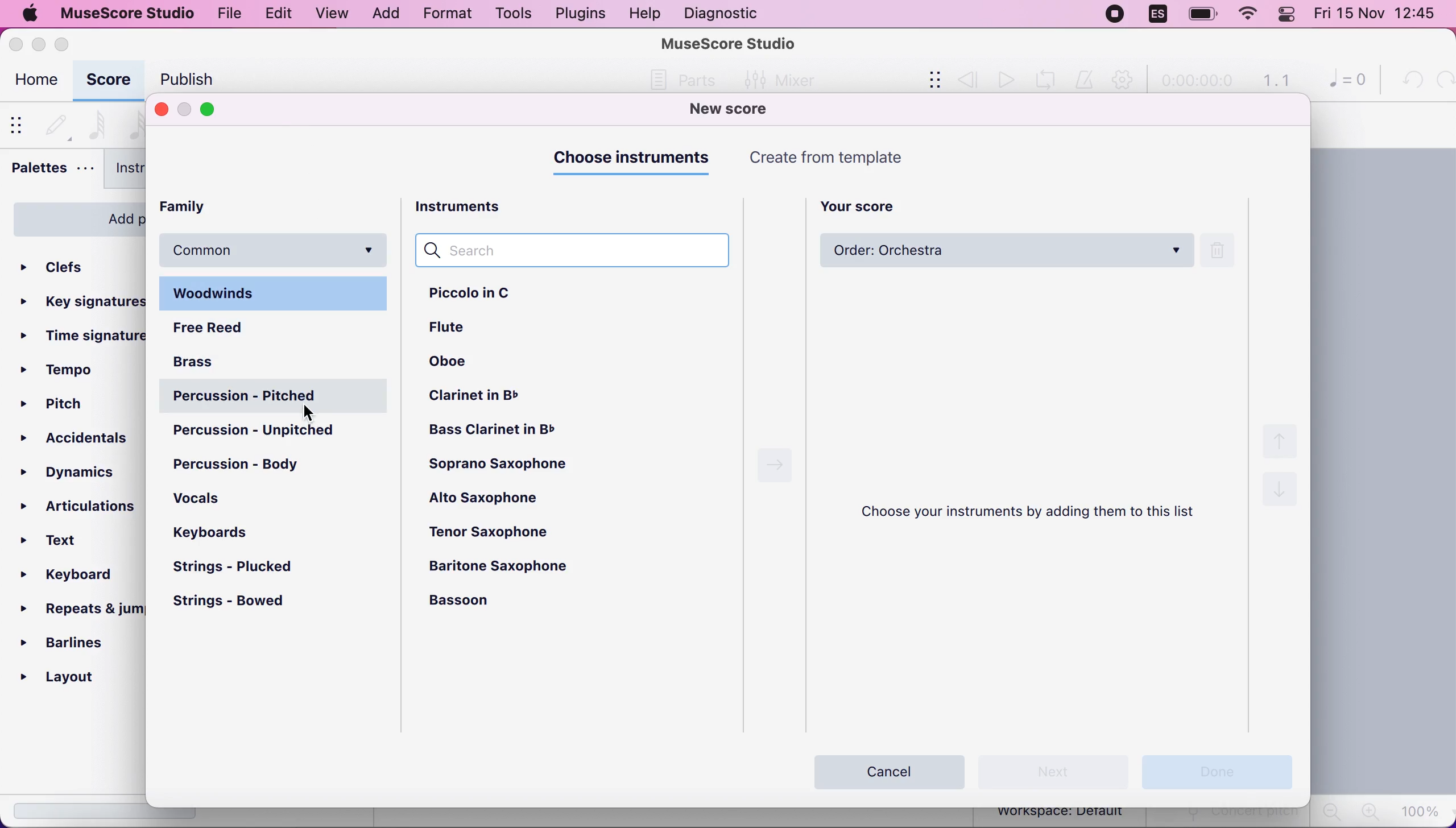  Describe the element at coordinates (1036, 514) in the screenshot. I see `choose your instruments by adding them to this list` at that location.